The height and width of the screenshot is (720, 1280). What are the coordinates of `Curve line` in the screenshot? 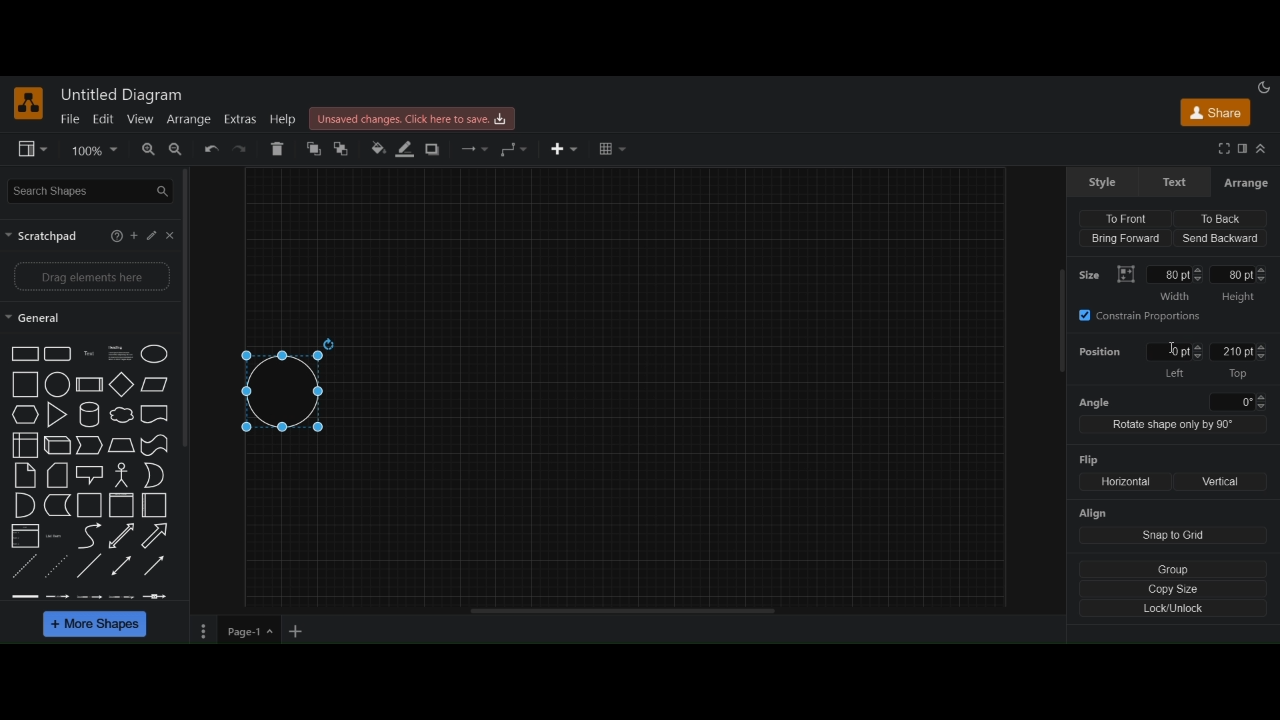 It's located at (89, 536).